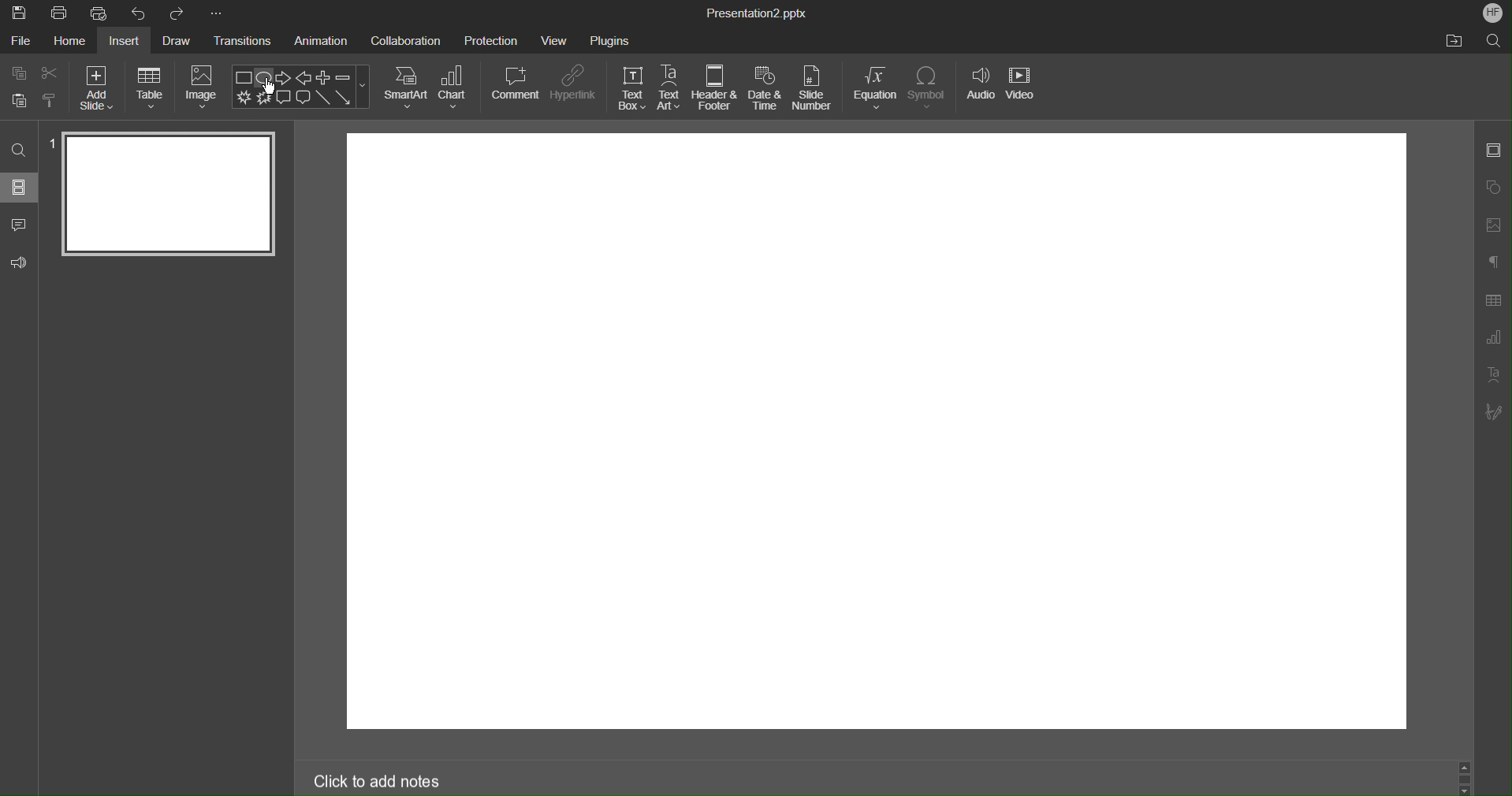 This screenshot has height=796, width=1512. I want to click on Date & Time, so click(765, 88).